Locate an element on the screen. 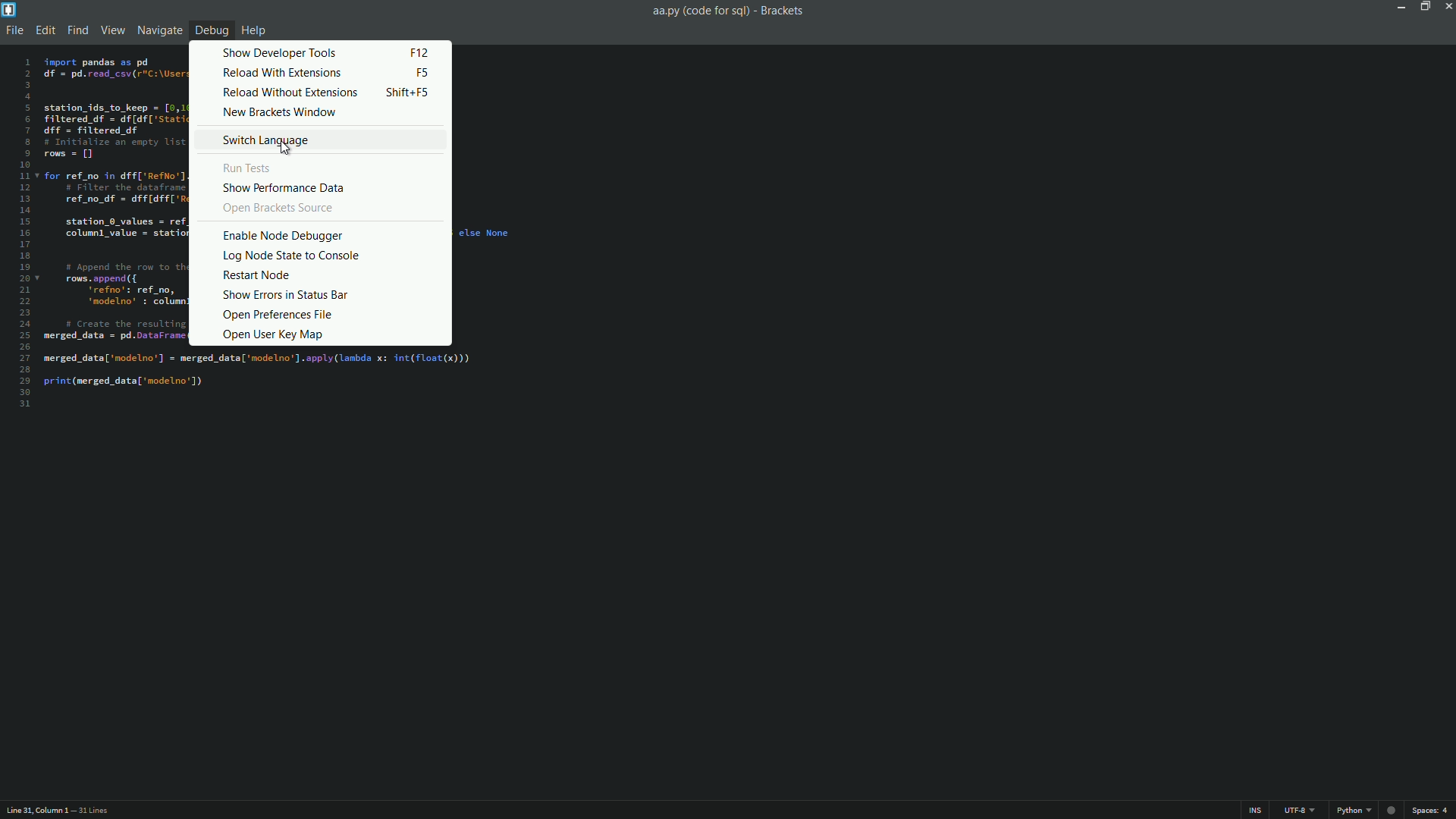 The image size is (1456, 819). keyboard shortcut is located at coordinates (407, 92).